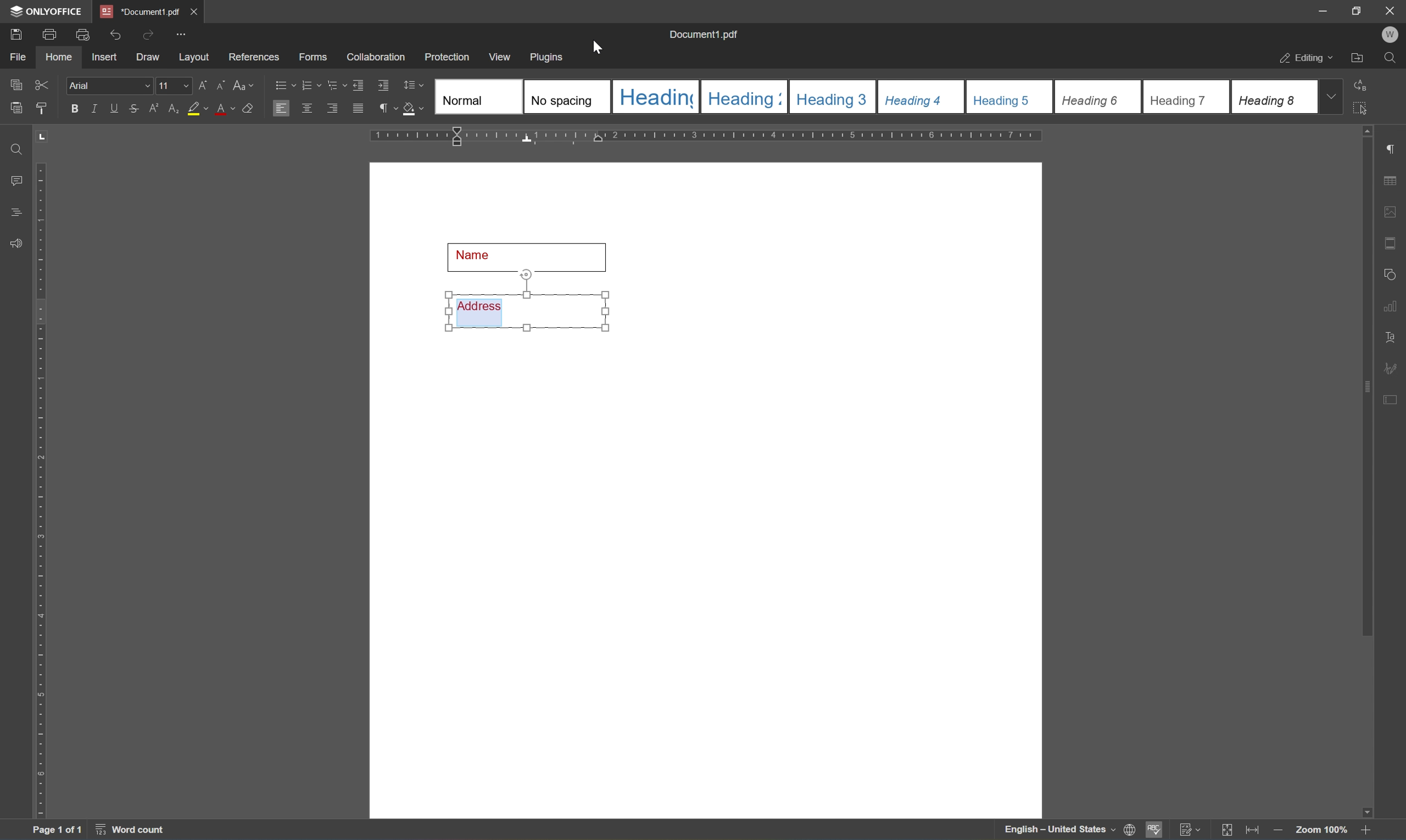  Describe the element at coordinates (114, 33) in the screenshot. I see `undo` at that location.